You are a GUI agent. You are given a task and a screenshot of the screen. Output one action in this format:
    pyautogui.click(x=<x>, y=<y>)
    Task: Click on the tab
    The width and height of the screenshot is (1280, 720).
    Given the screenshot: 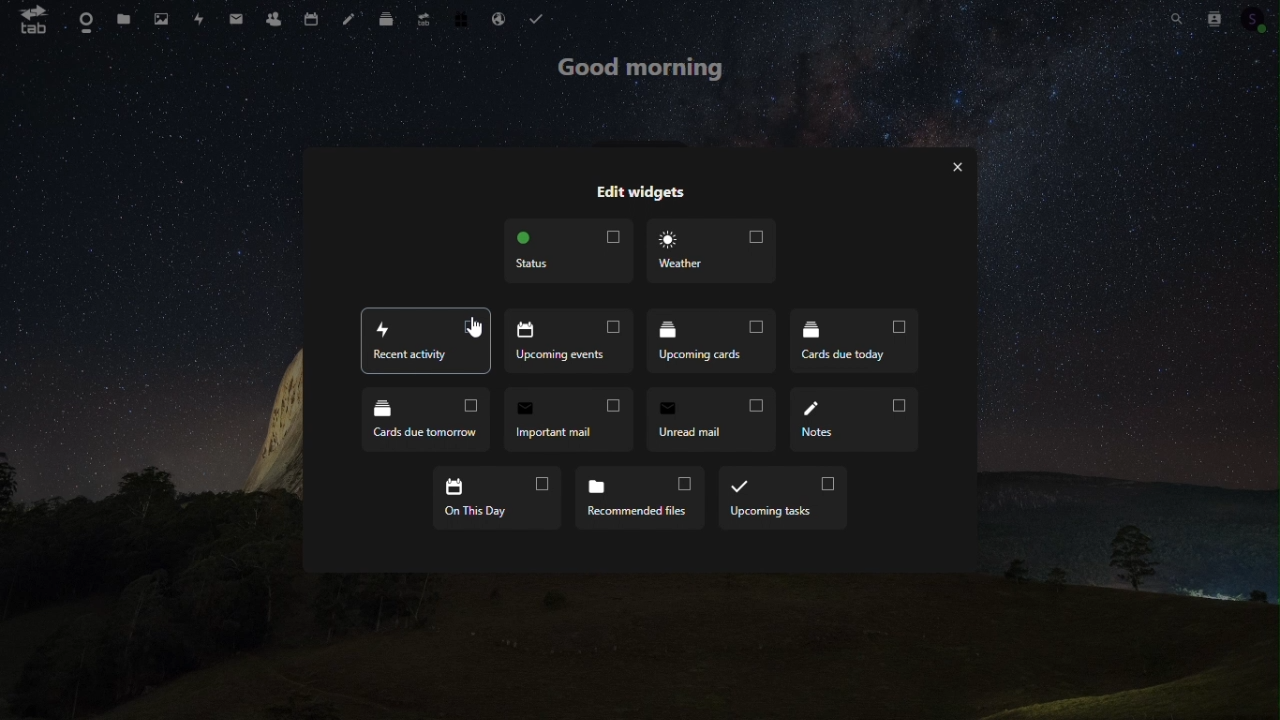 What is the action you would take?
    pyautogui.click(x=27, y=19)
    